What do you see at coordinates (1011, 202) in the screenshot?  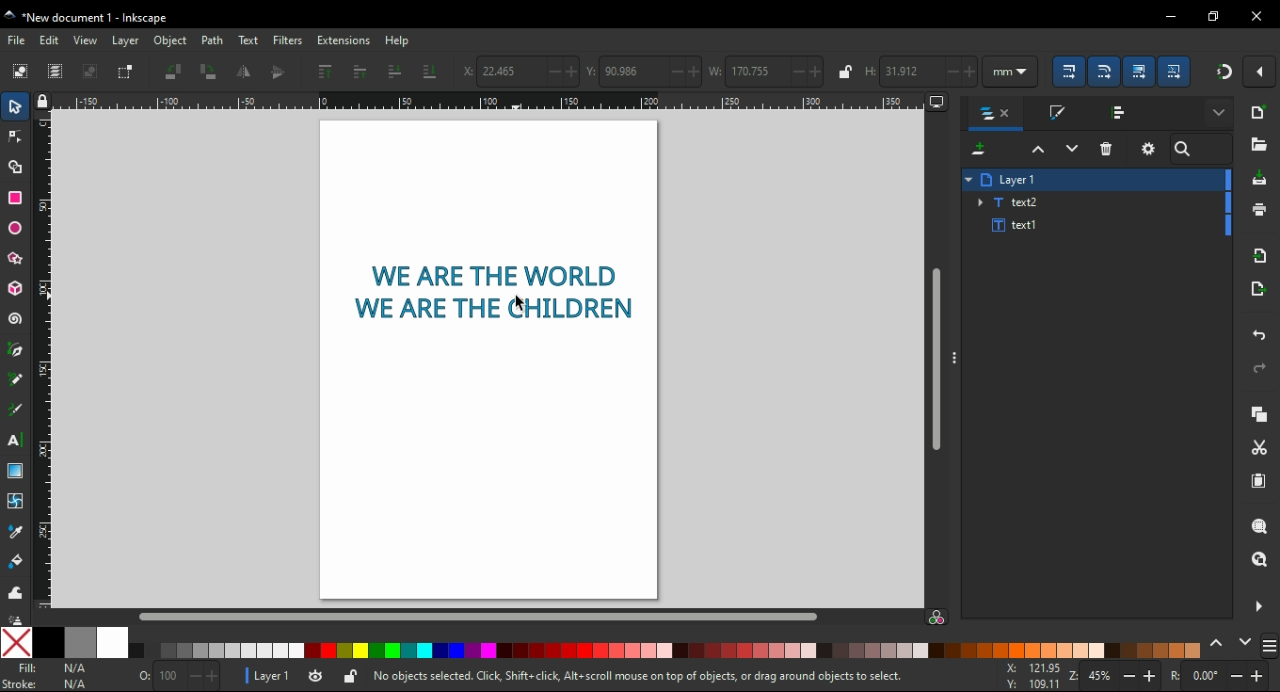 I see `text2` at bounding box center [1011, 202].